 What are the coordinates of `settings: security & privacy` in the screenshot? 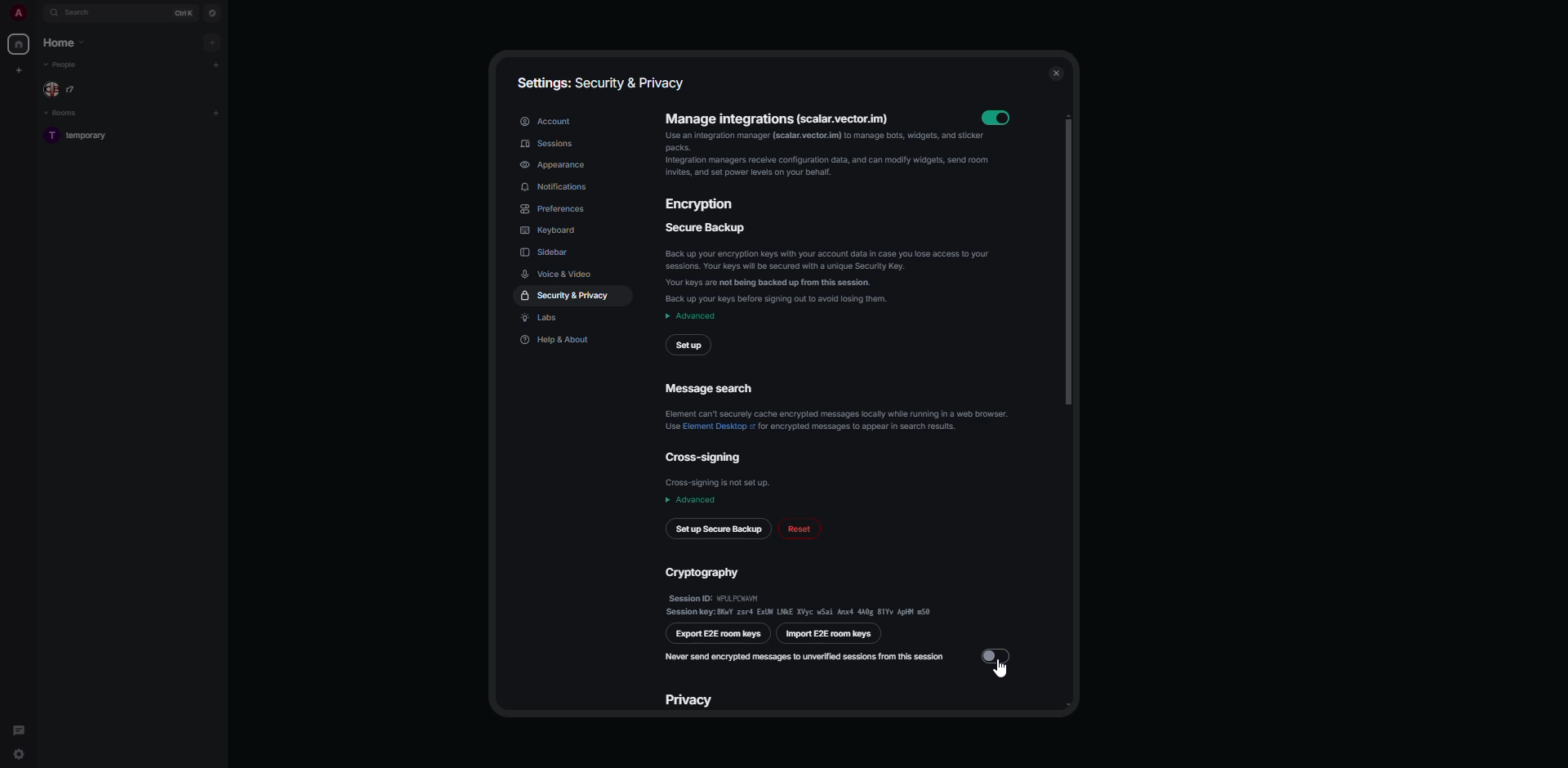 It's located at (605, 87).